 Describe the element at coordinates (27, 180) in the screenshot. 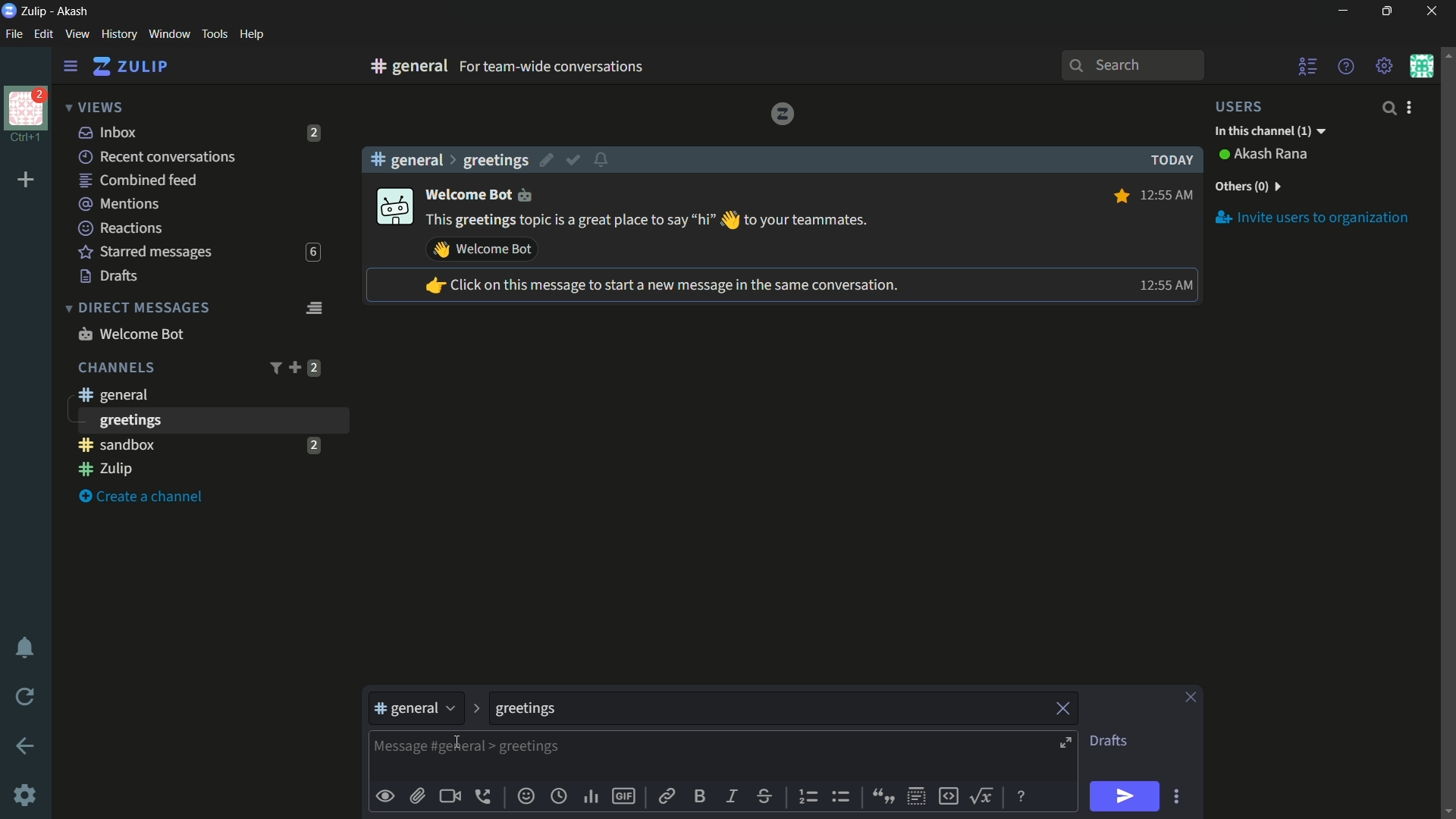

I see `add organization` at that location.